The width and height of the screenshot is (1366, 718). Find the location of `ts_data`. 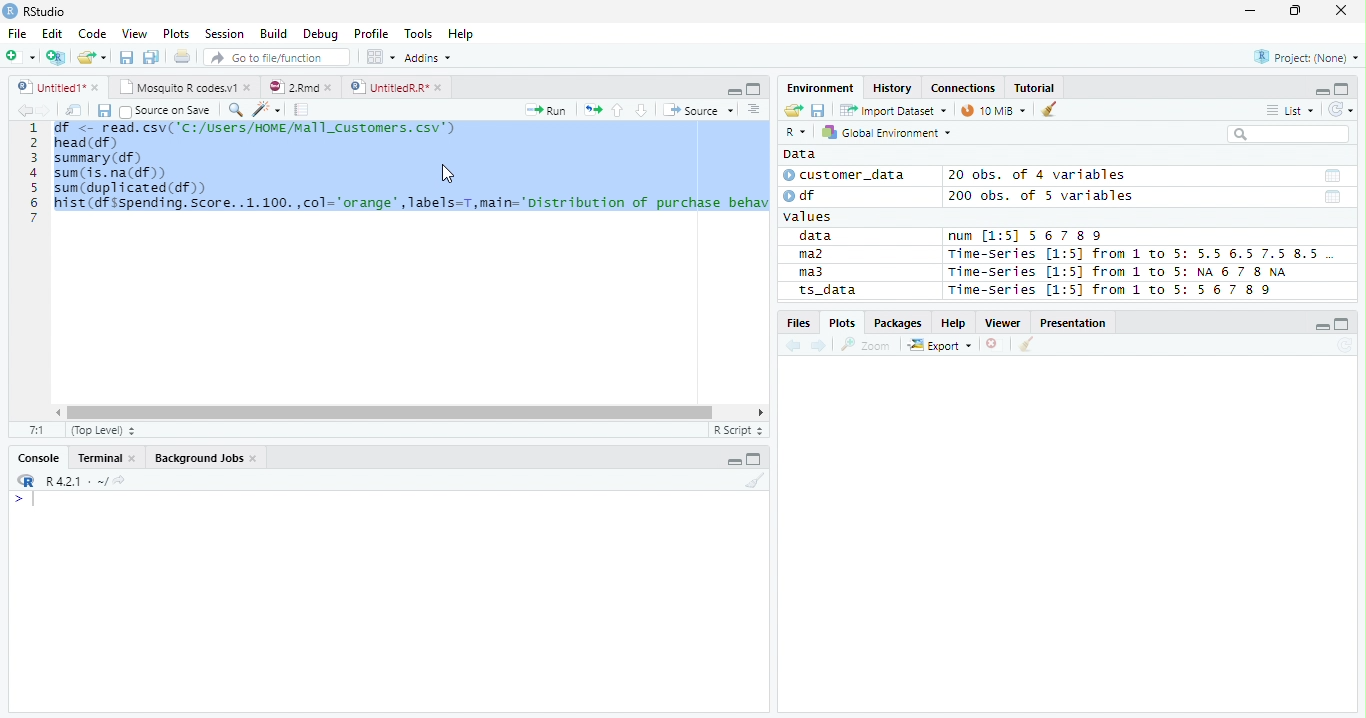

ts_data is located at coordinates (855, 293).